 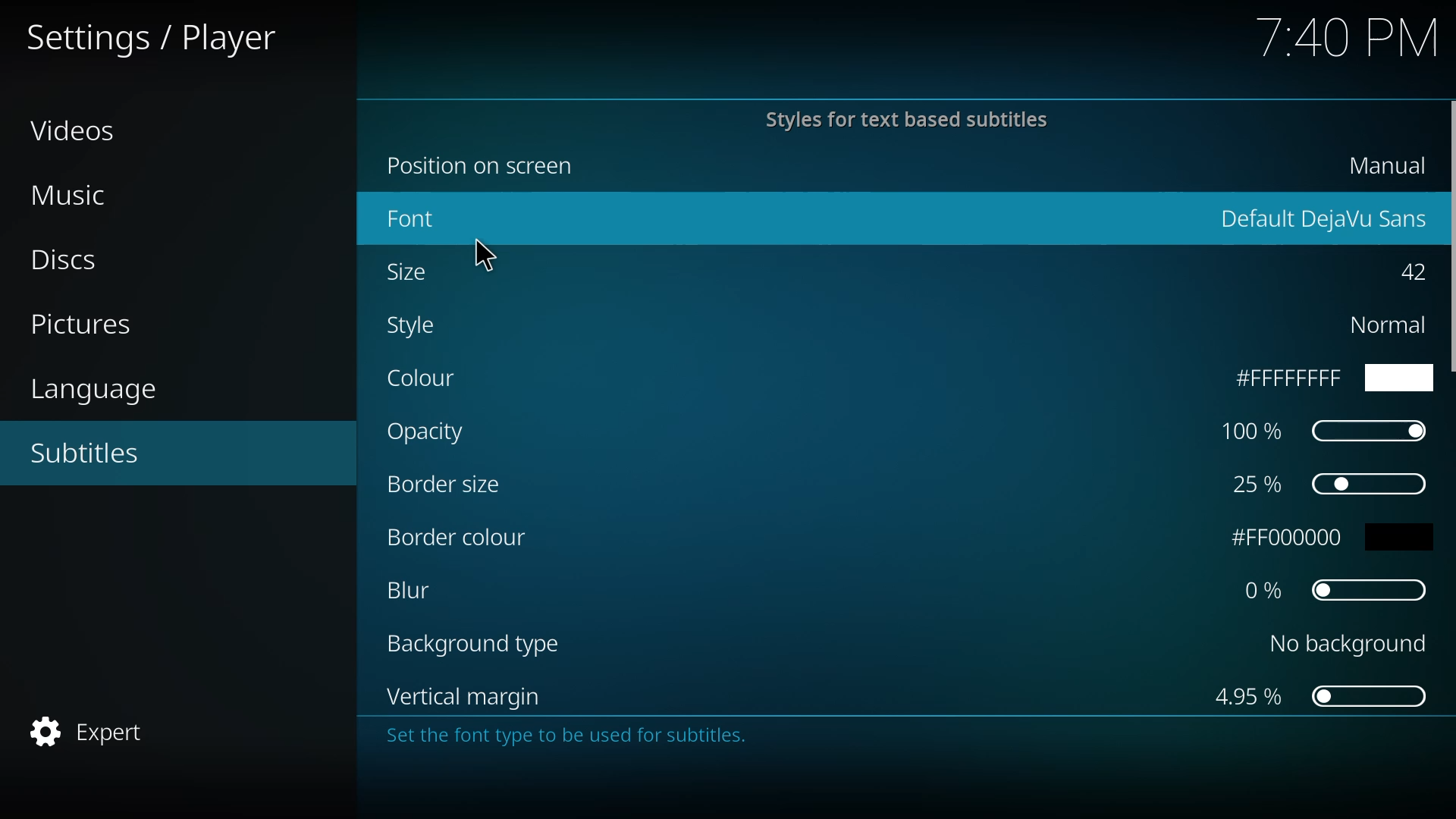 What do you see at coordinates (415, 274) in the screenshot?
I see `size` at bounding box center [415, 274].